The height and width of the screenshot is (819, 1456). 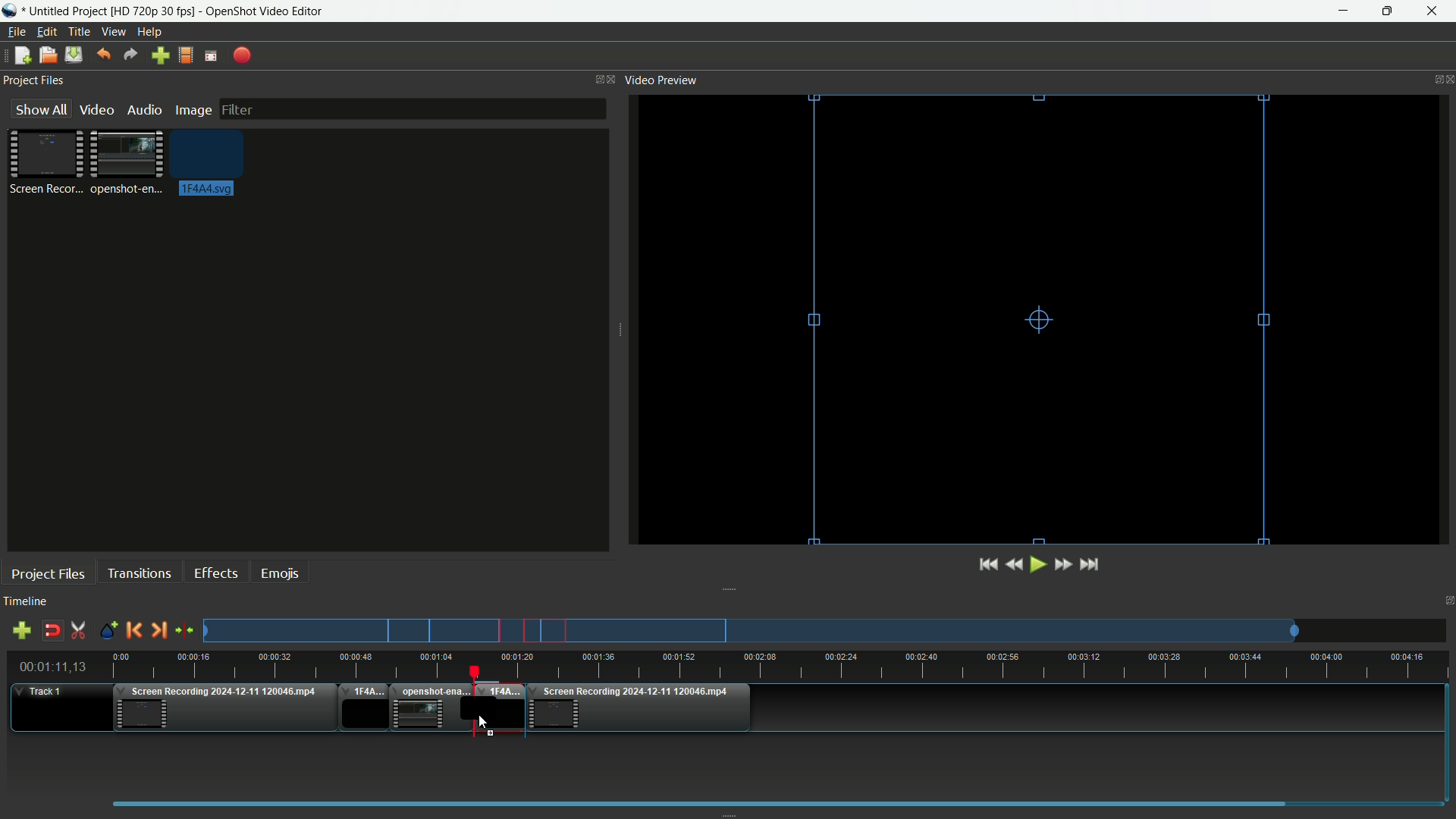 What do you see at coordinates (12, 11) in the screenshot?
I see `App icon` at bounding box center [12, 11].